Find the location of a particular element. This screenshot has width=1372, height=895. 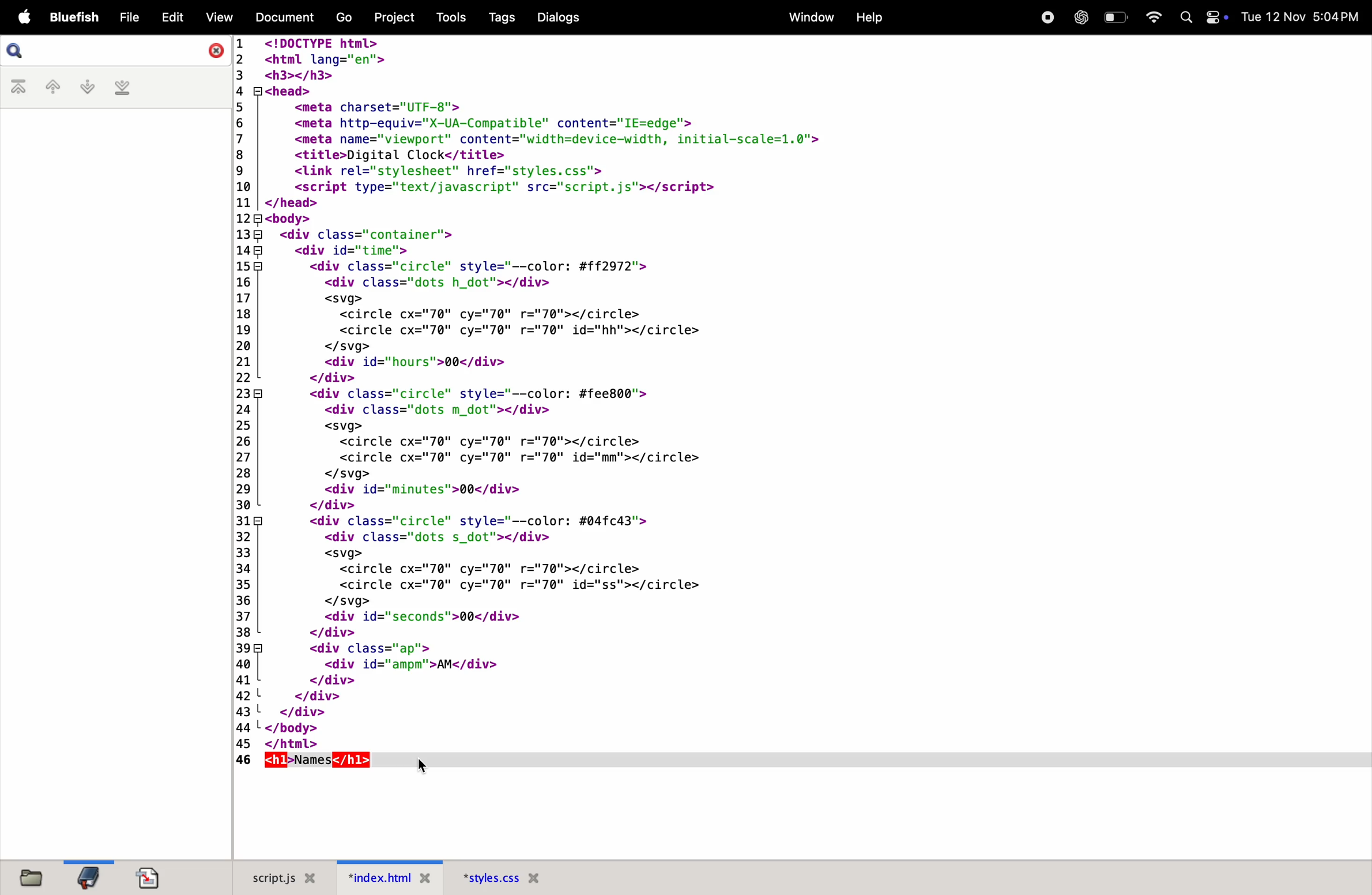

tools is located at coordinates (454, 18).